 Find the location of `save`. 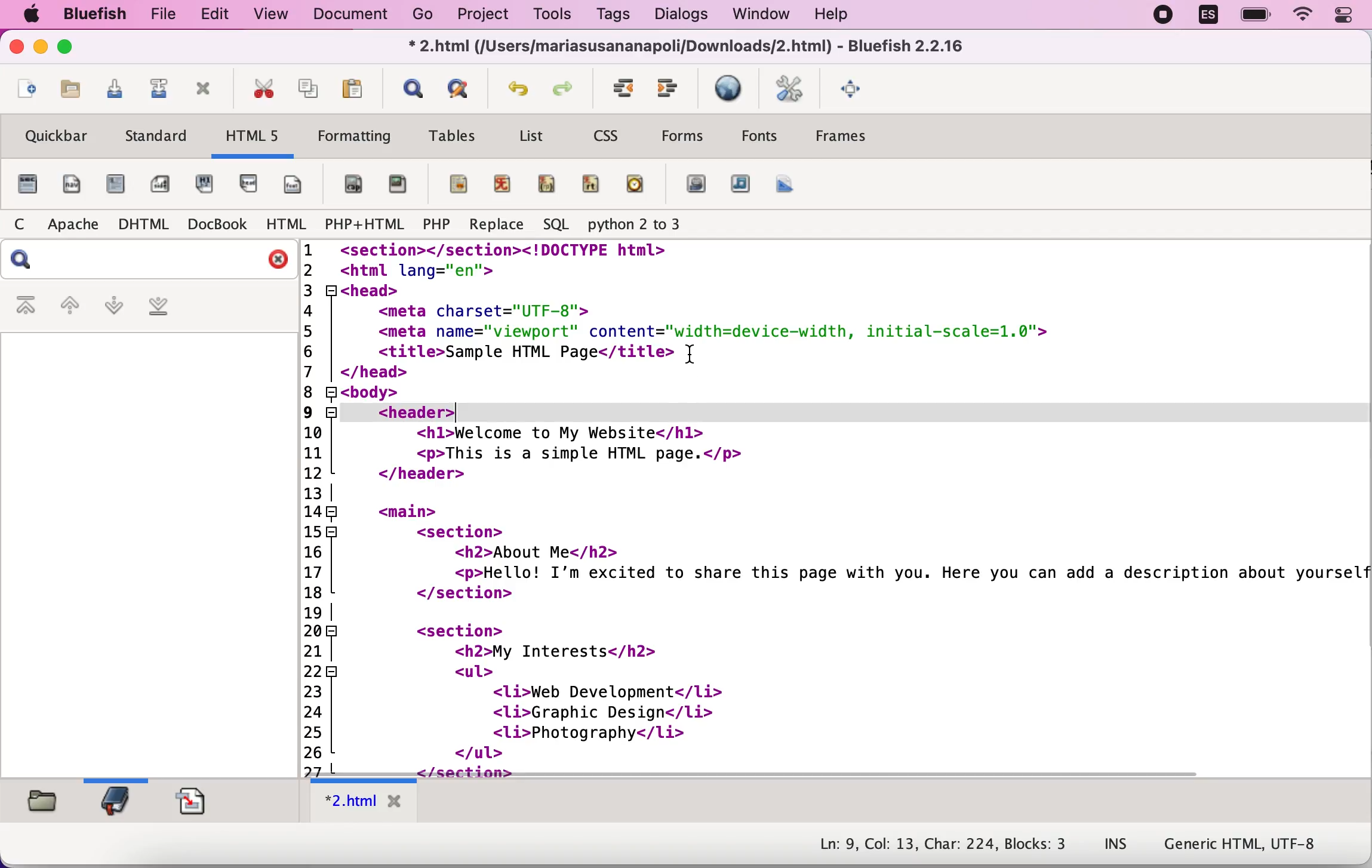

save is located at coordinates (115, 90).